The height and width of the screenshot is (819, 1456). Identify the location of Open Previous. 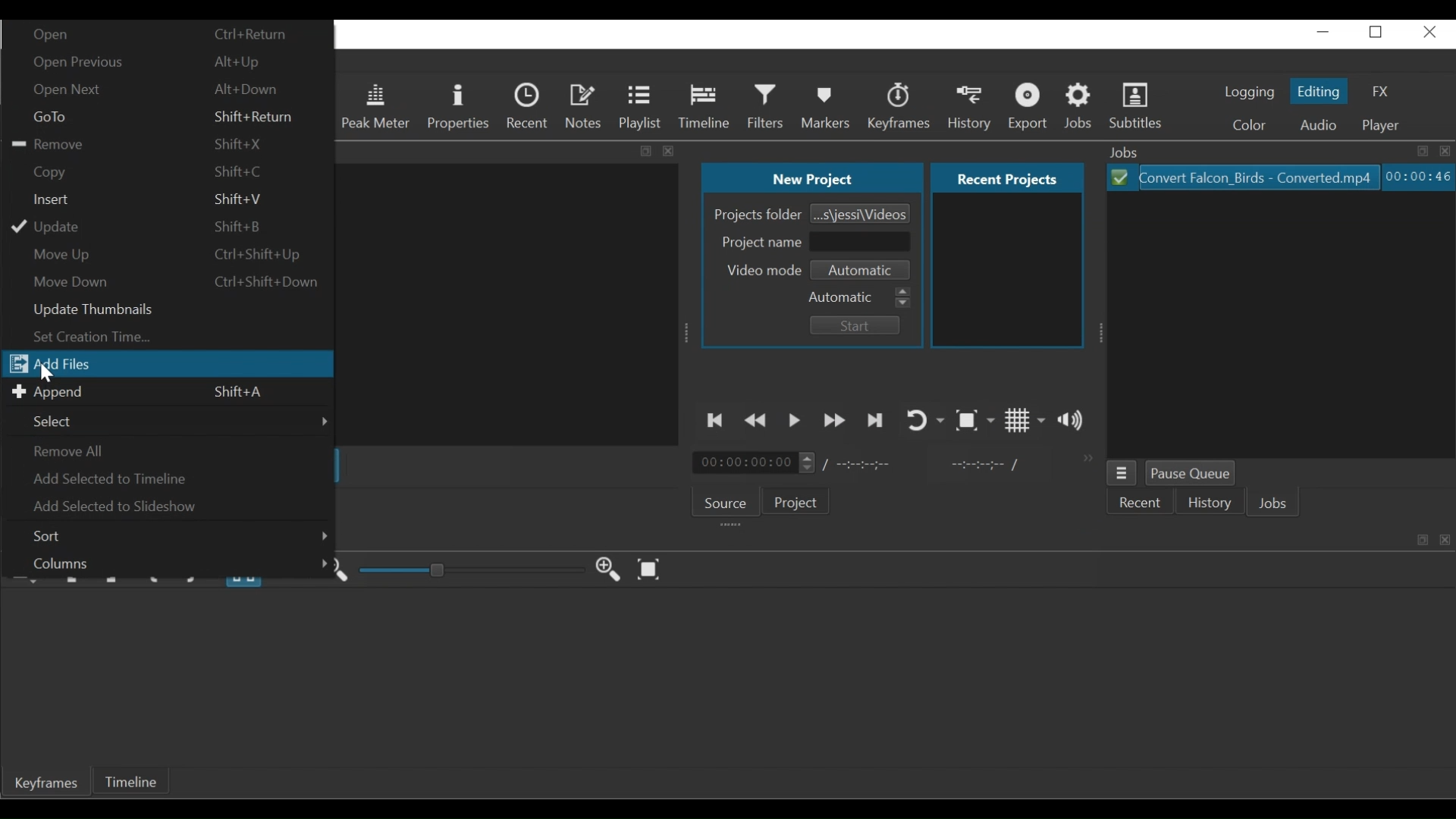
(167, 62).